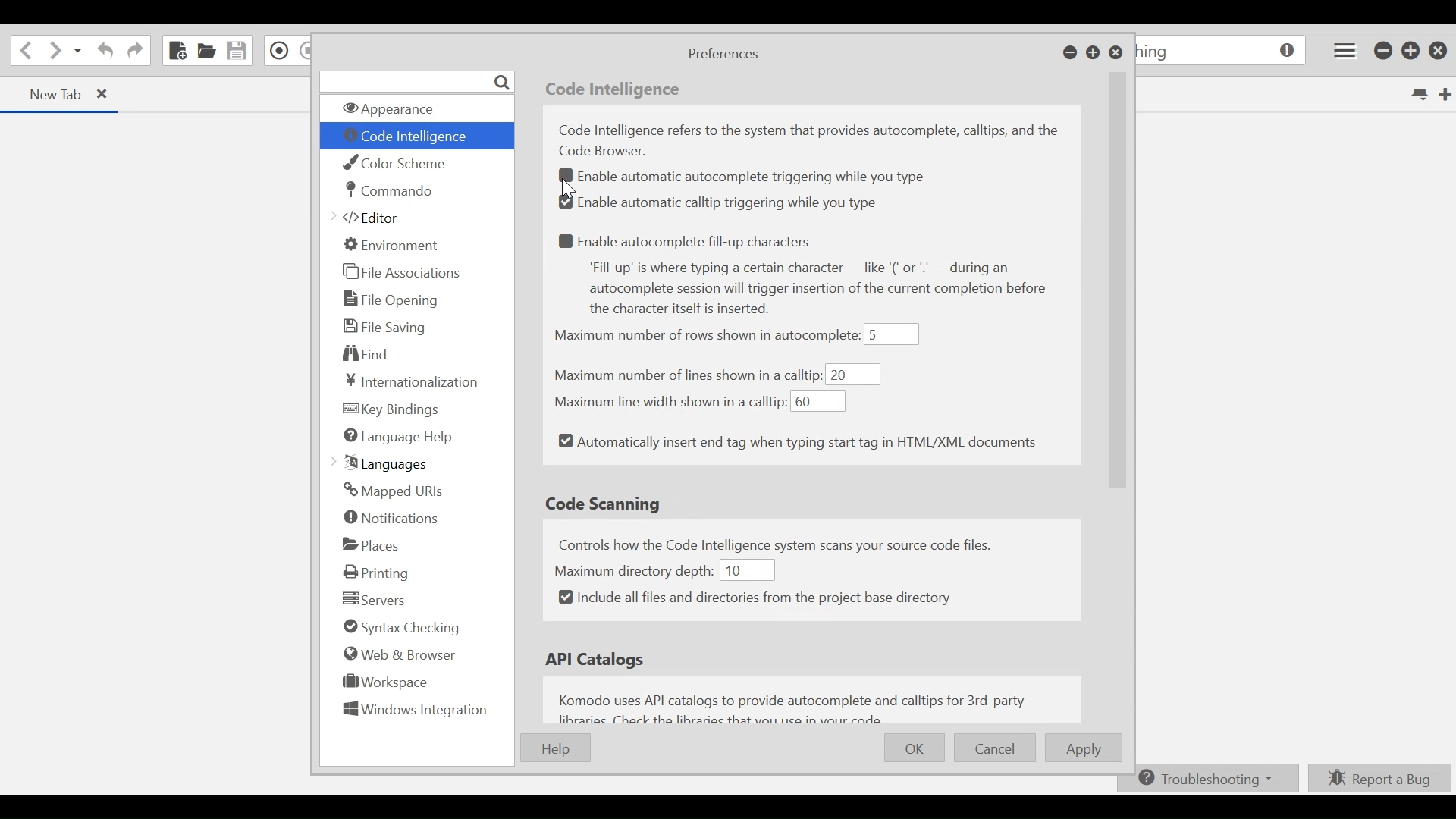 Image resolution: width=1456 pixels, height=819 pixels. What do you see at coordinates (688, 375) in the screenshot?
I see `Maximum number of lines shown in a calltip:` at bounding box center [688, 375].